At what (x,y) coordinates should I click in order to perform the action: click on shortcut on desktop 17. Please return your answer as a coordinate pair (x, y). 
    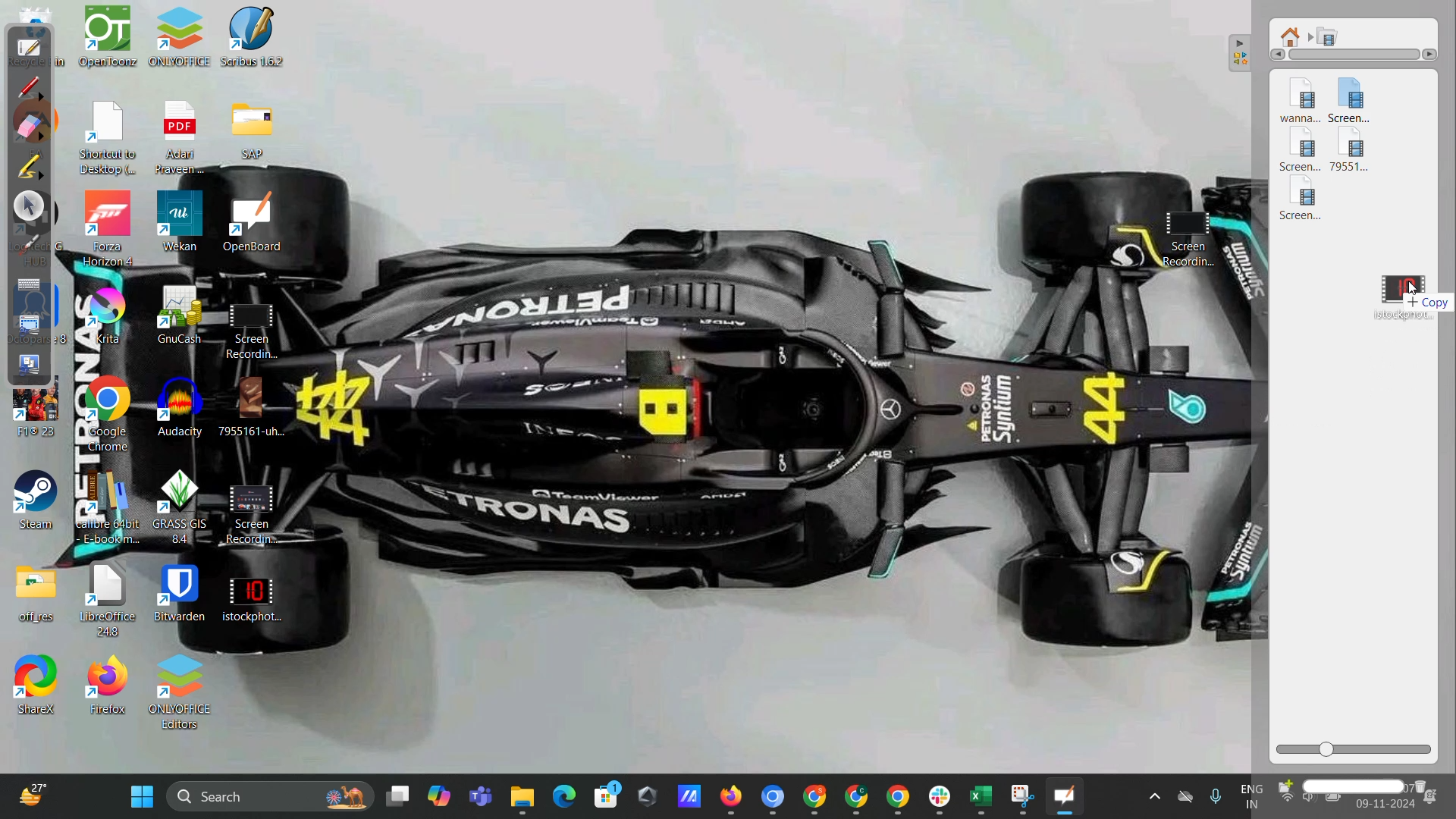
    Looking at the image, I should click on (39, 687).